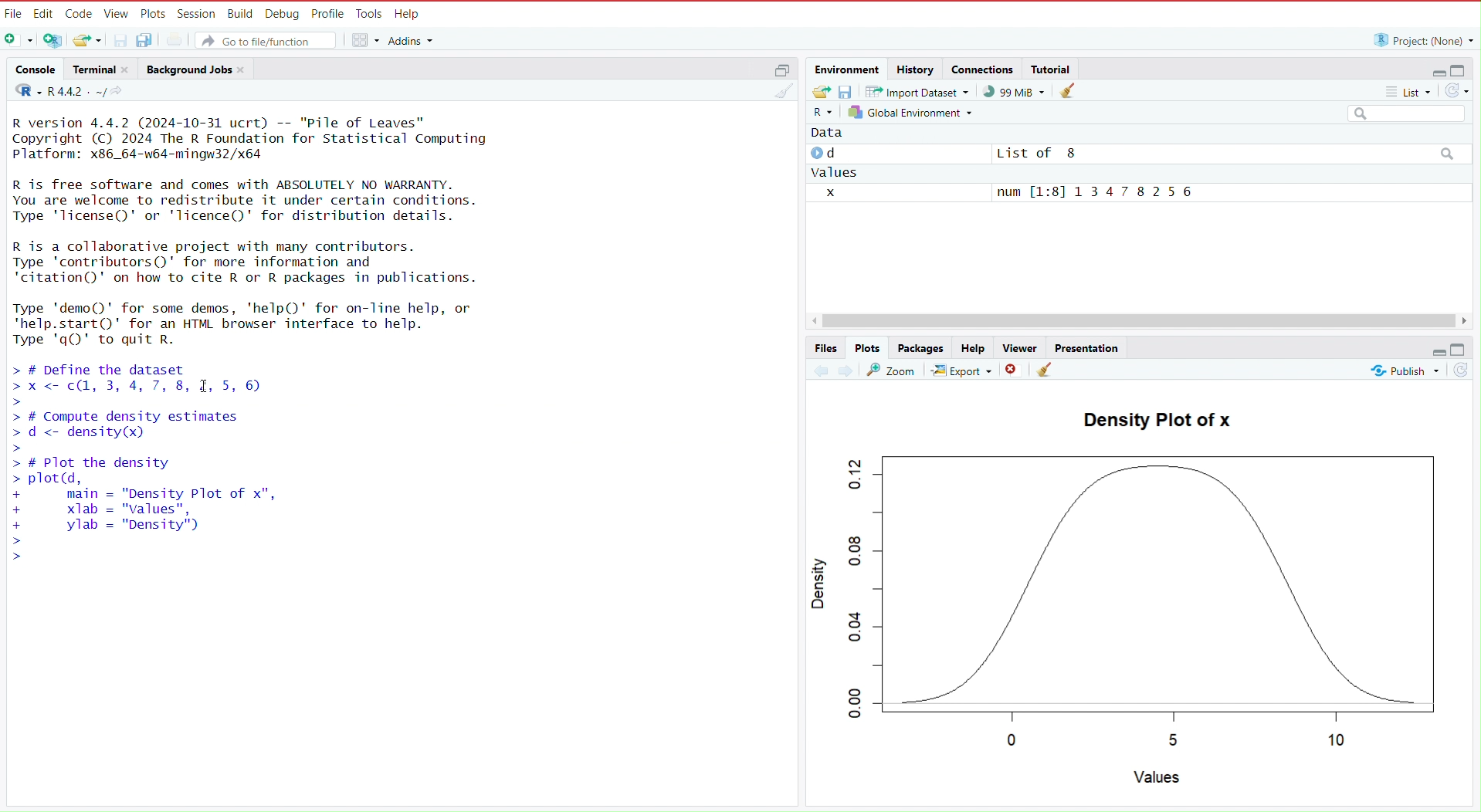  I want to click on global environment, so click(913, 116).